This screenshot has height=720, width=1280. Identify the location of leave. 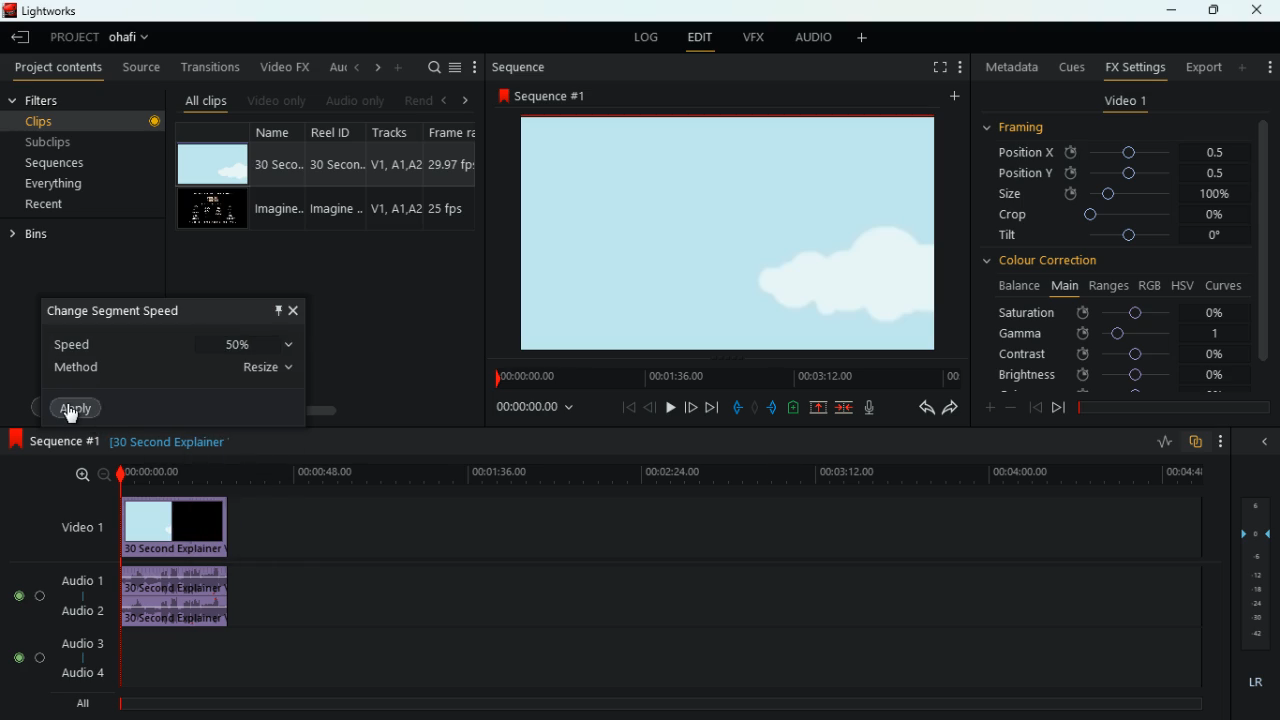
(20, 37).